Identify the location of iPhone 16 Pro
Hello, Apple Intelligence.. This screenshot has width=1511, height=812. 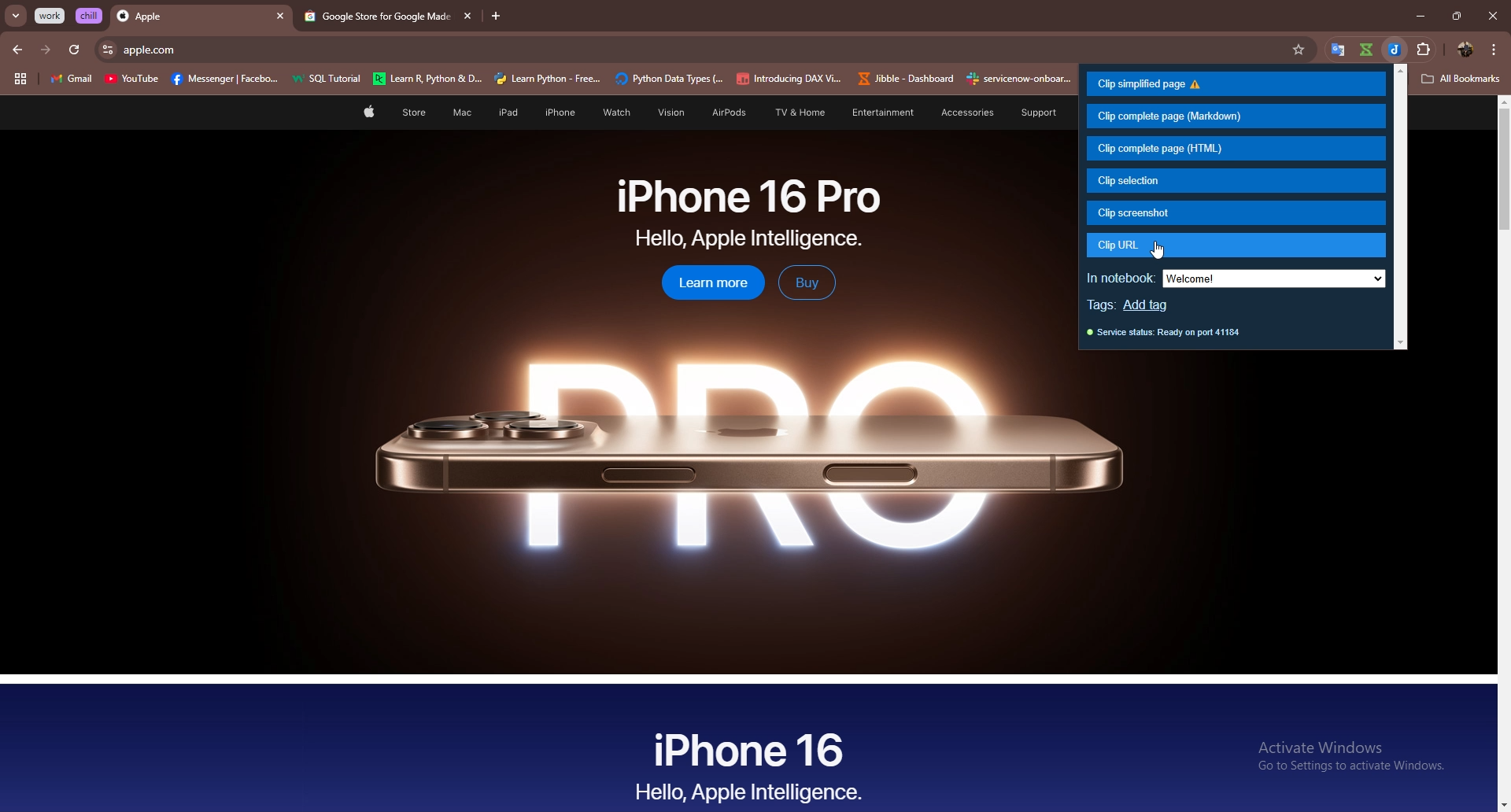
(749, 213).